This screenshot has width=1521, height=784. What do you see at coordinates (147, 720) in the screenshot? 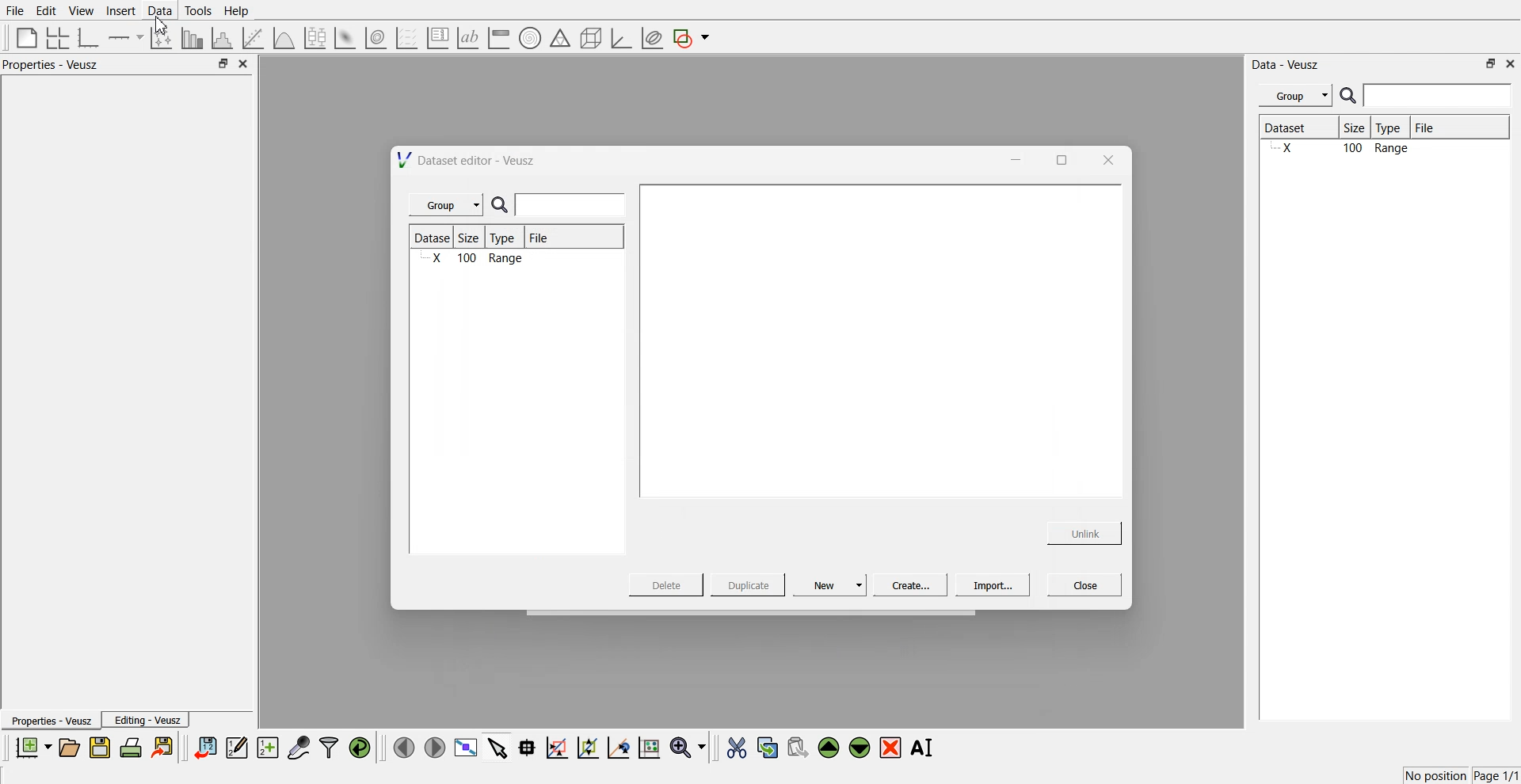
I see `Editing - Veusz` at bounding box center [147, 720].